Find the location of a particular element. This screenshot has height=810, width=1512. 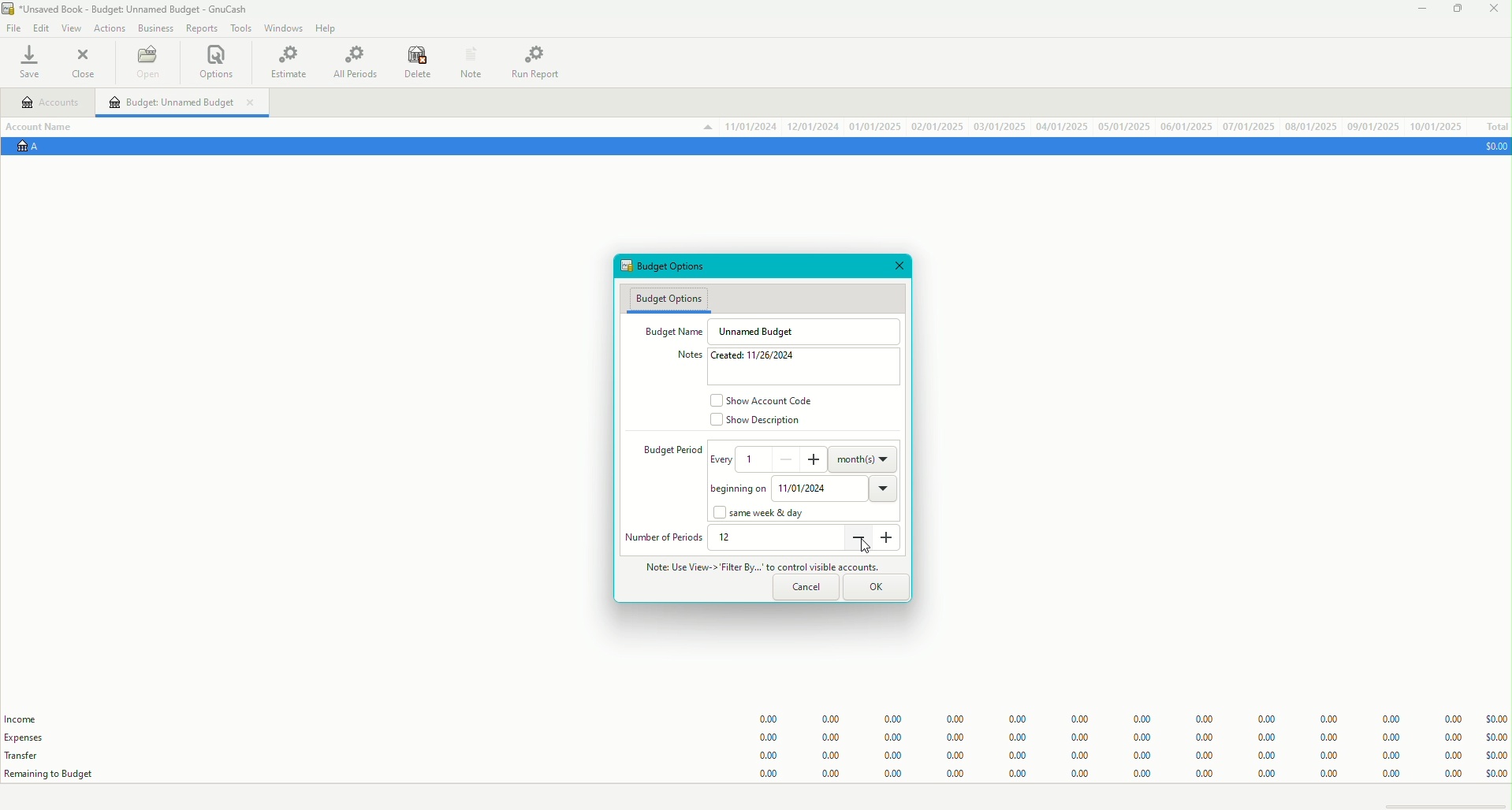

Show Account Code is located at coordinates (765, 399).